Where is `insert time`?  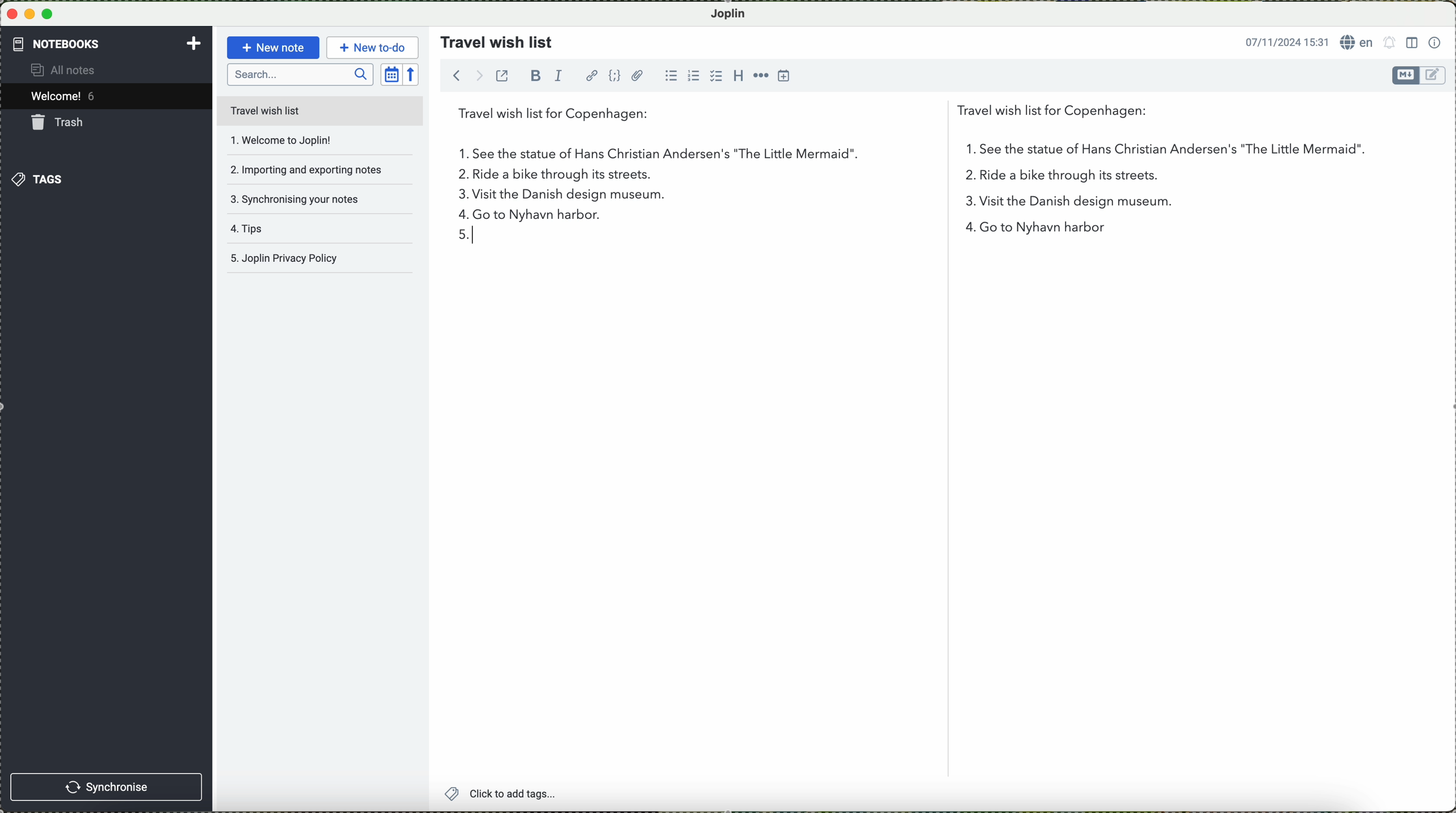
insert time is located at coordinates (785, 77).